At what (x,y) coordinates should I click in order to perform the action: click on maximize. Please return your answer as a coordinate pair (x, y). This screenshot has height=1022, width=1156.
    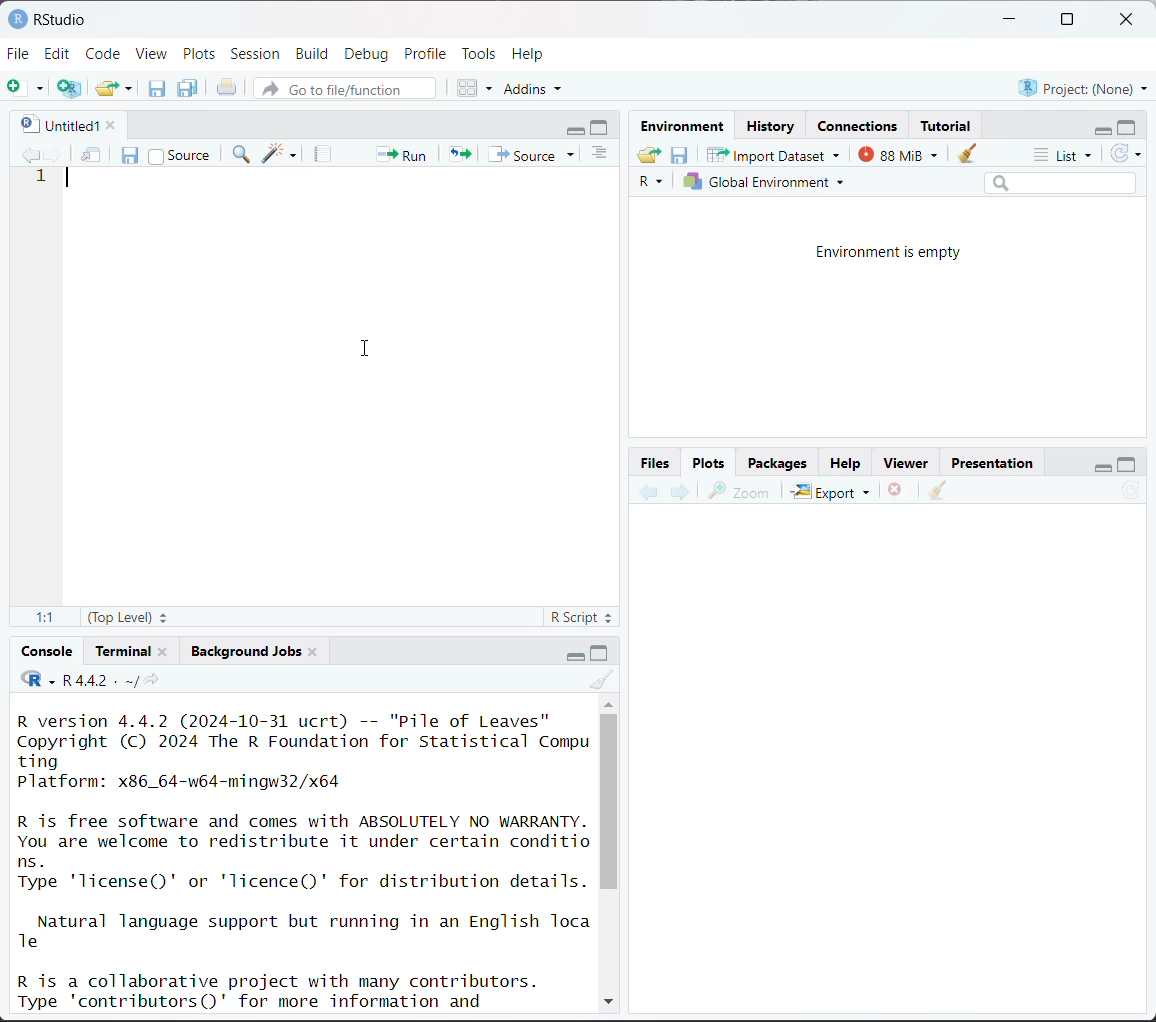
    Looking at the image, I should click on (1127, 463).